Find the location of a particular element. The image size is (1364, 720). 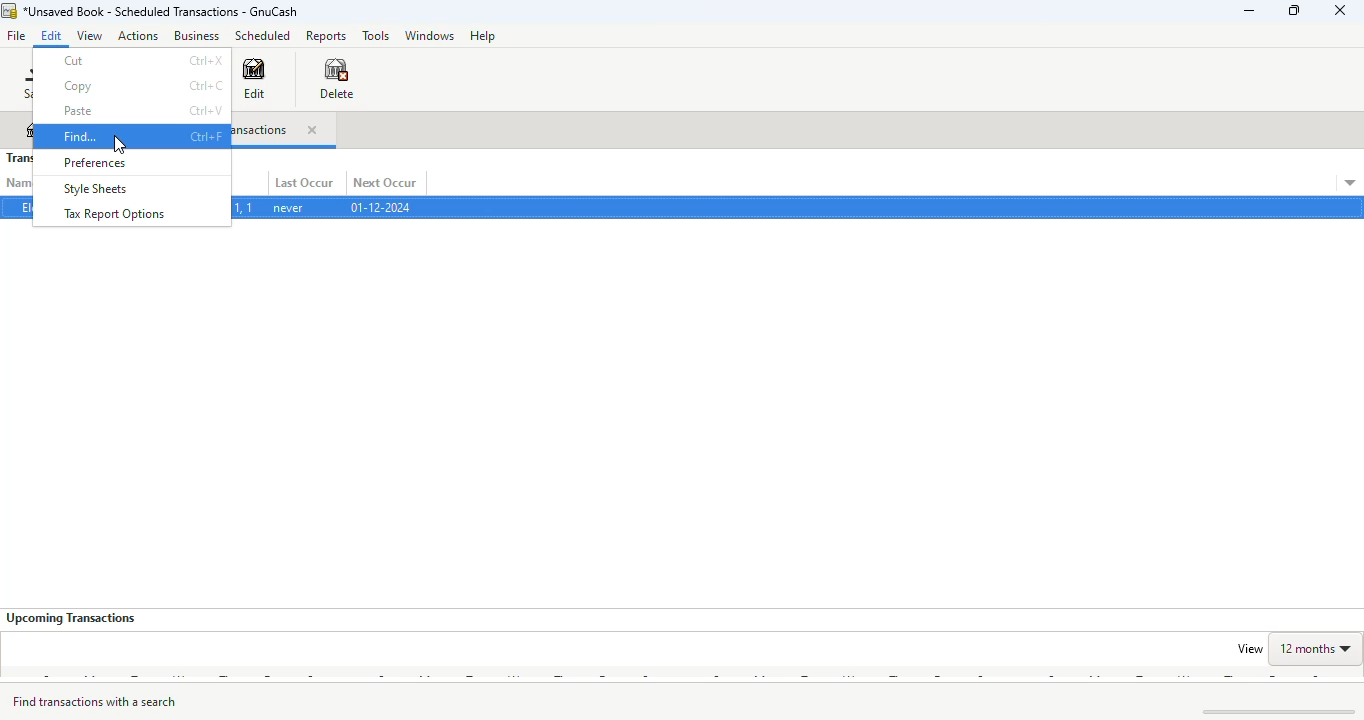

01-12-2024 is located at coordinates (379, 207).